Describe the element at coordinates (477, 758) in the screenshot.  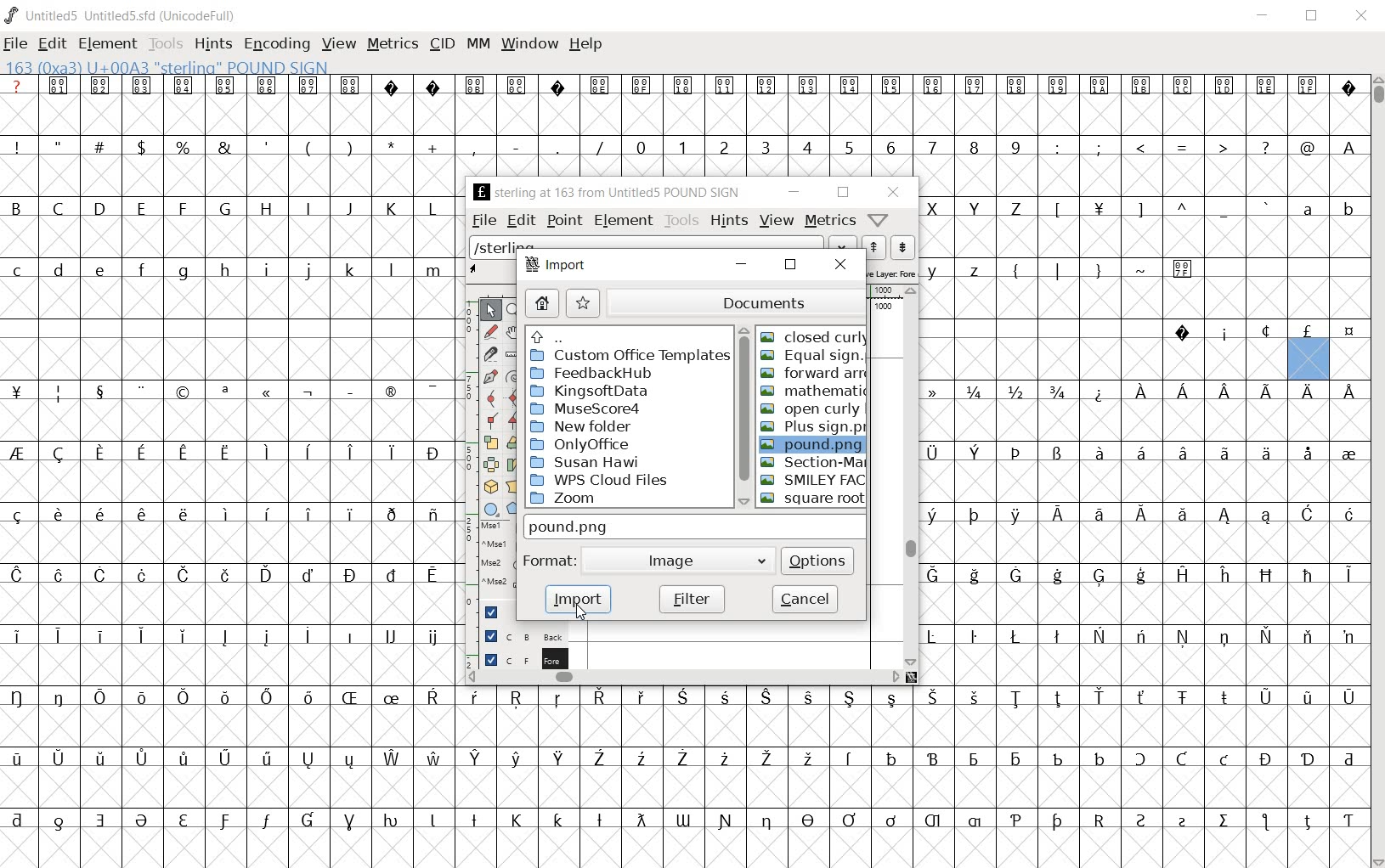
I see `Symbol` at that location.